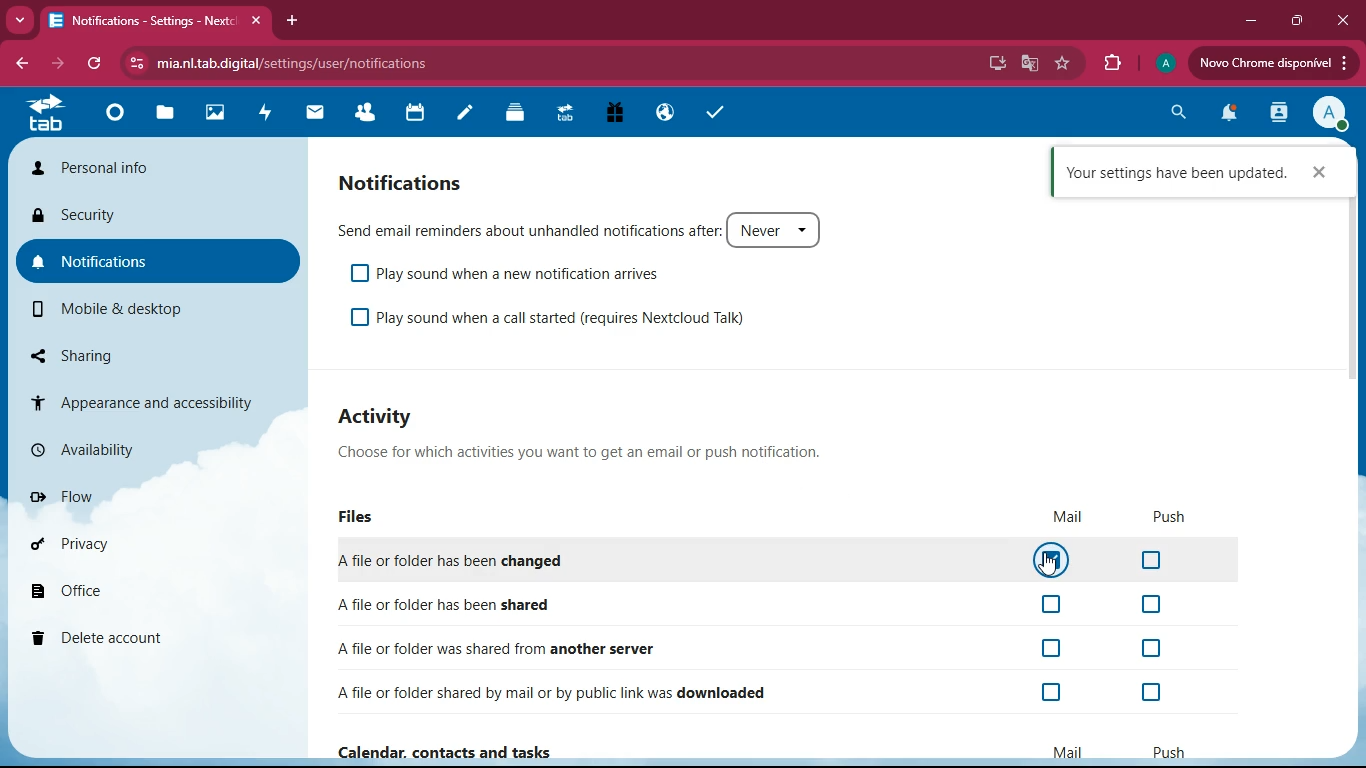  What do you see at coordinates (526, 275) in the screenshot?
I see `play sound` at bounding box center [526, 275].